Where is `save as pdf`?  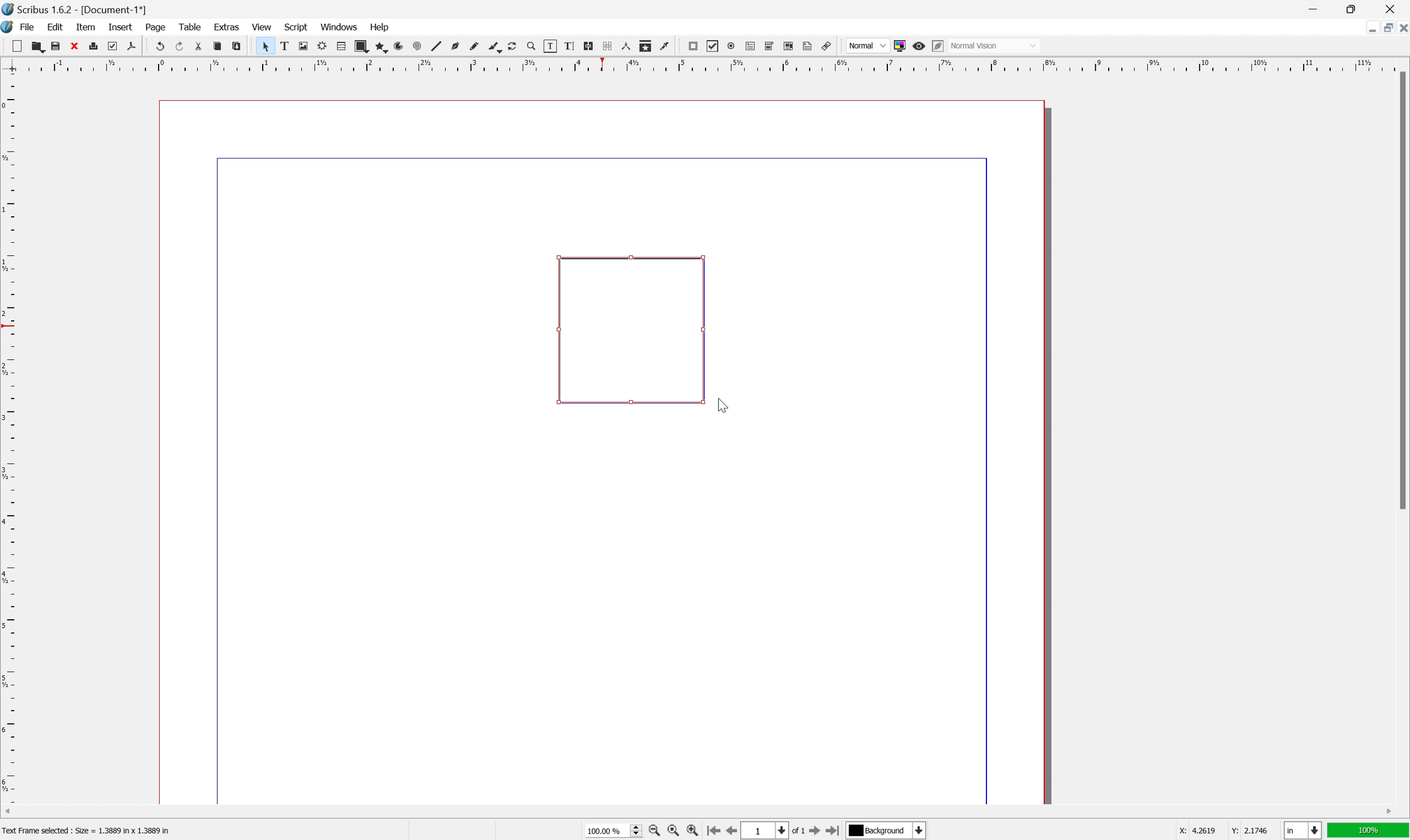 save as pdf is located at coordinates (132, 46).